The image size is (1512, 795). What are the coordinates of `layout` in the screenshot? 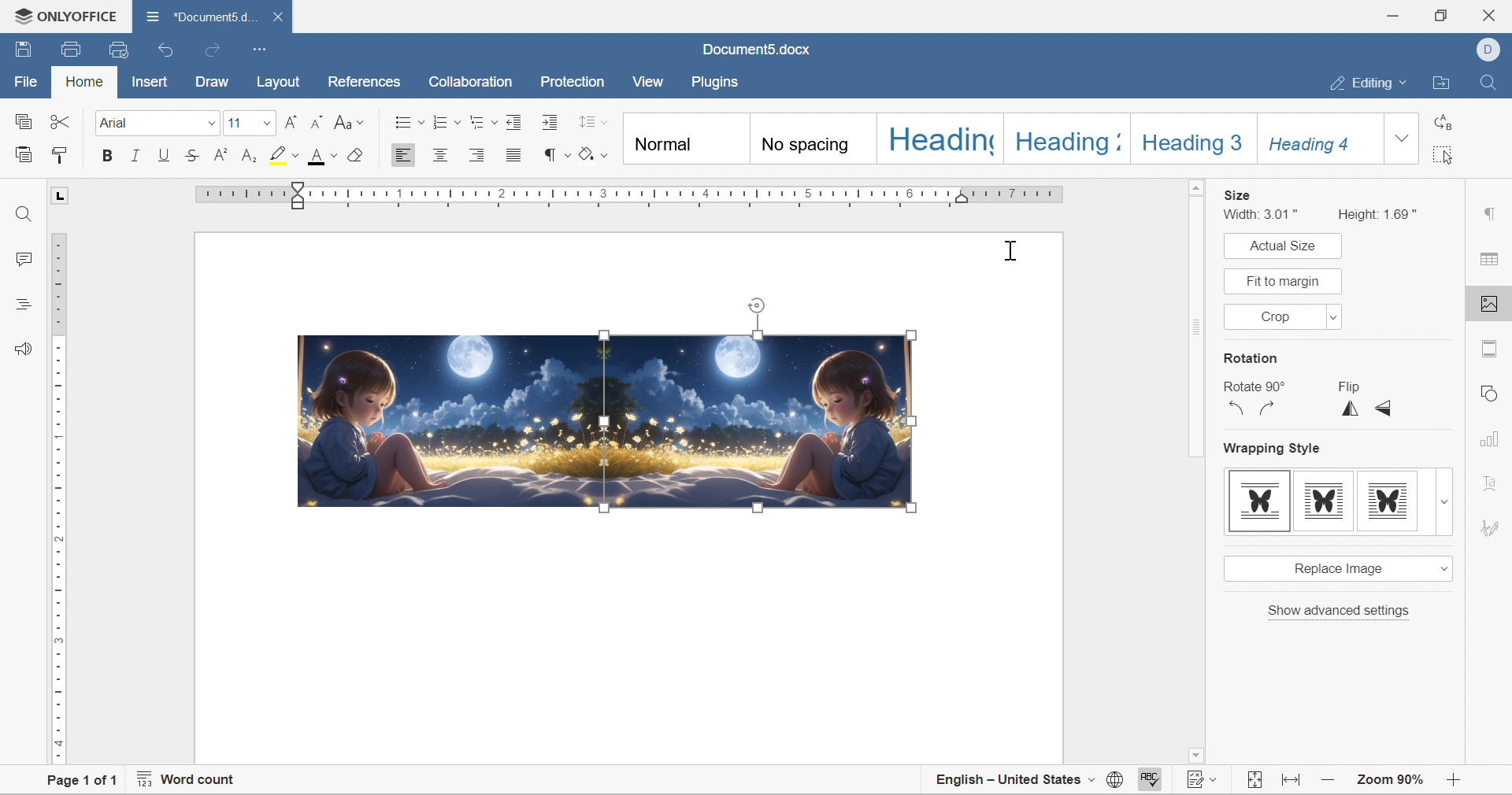 It's located at (279, 82).